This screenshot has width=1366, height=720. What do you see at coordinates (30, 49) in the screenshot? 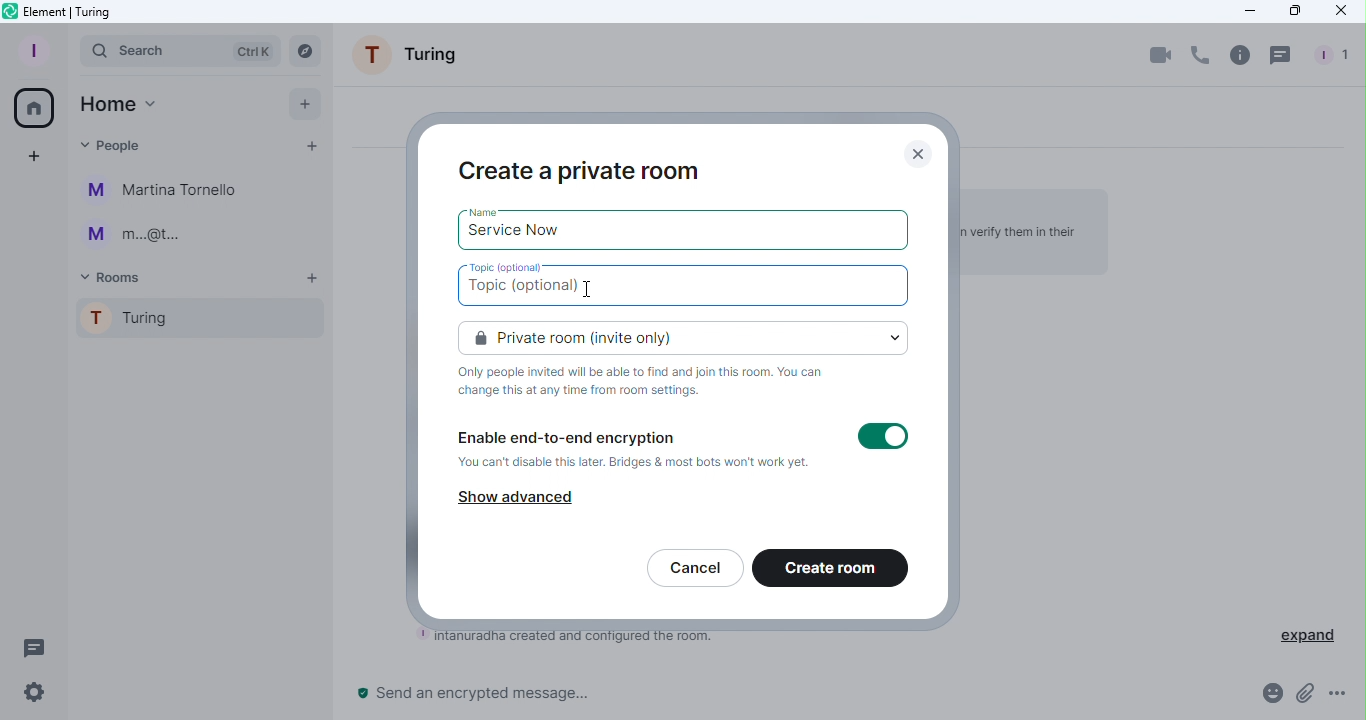
I see `Profile` at bounding box center [30, 49].